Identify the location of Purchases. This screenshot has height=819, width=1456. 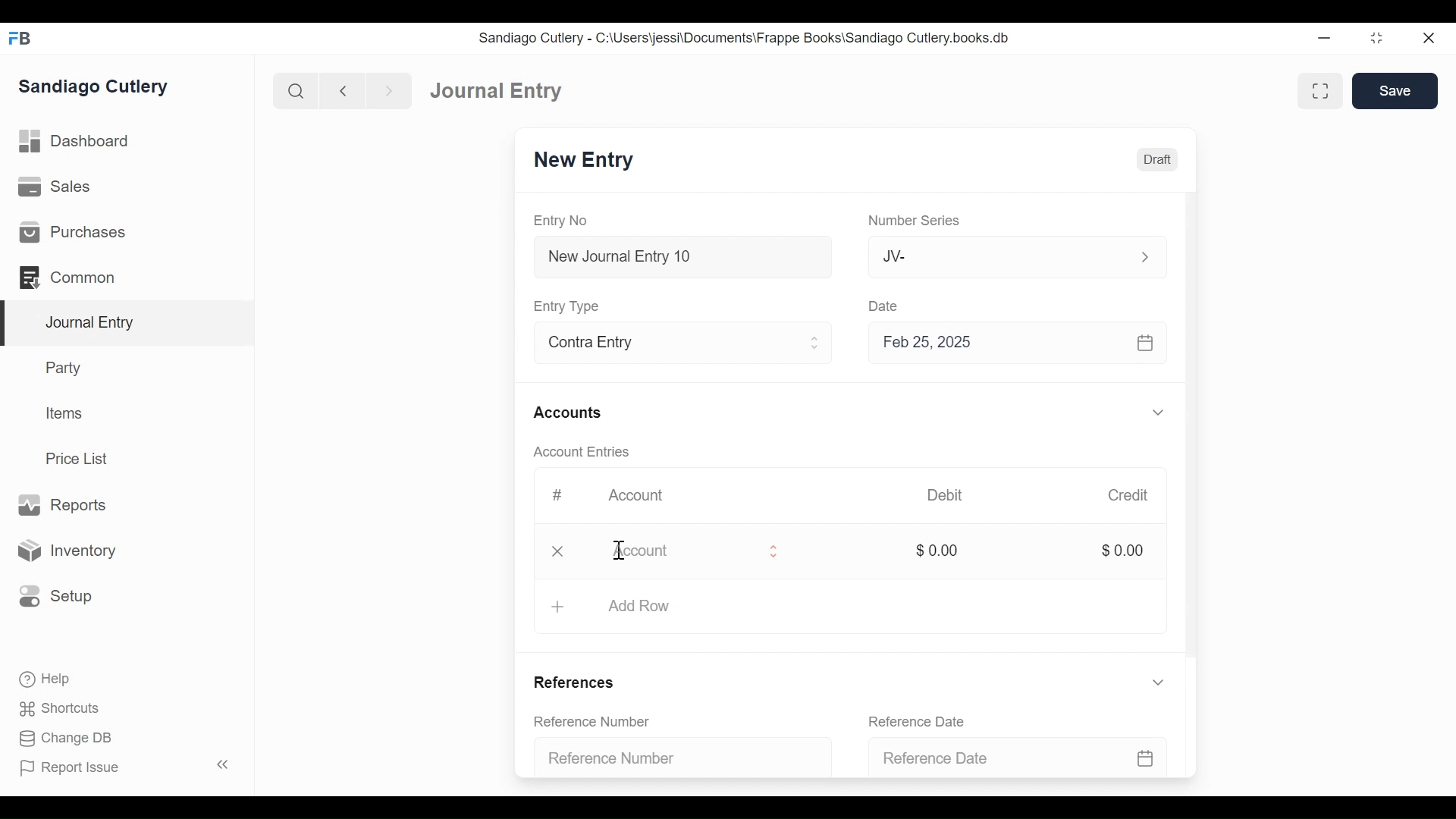
(73, 233).